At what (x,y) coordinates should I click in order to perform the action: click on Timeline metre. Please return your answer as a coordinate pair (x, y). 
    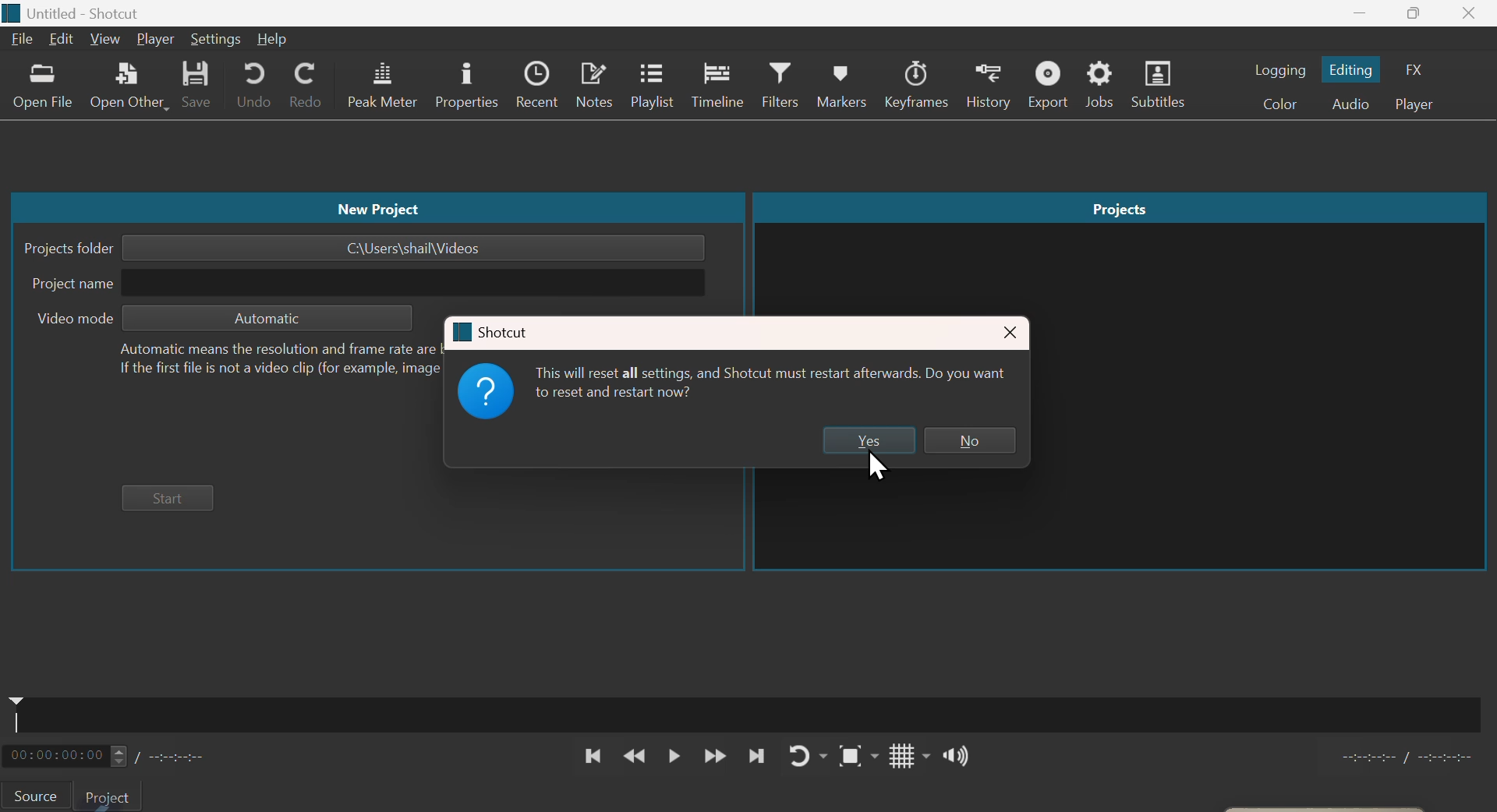
    Looking at the image, I should click on (123, 755).